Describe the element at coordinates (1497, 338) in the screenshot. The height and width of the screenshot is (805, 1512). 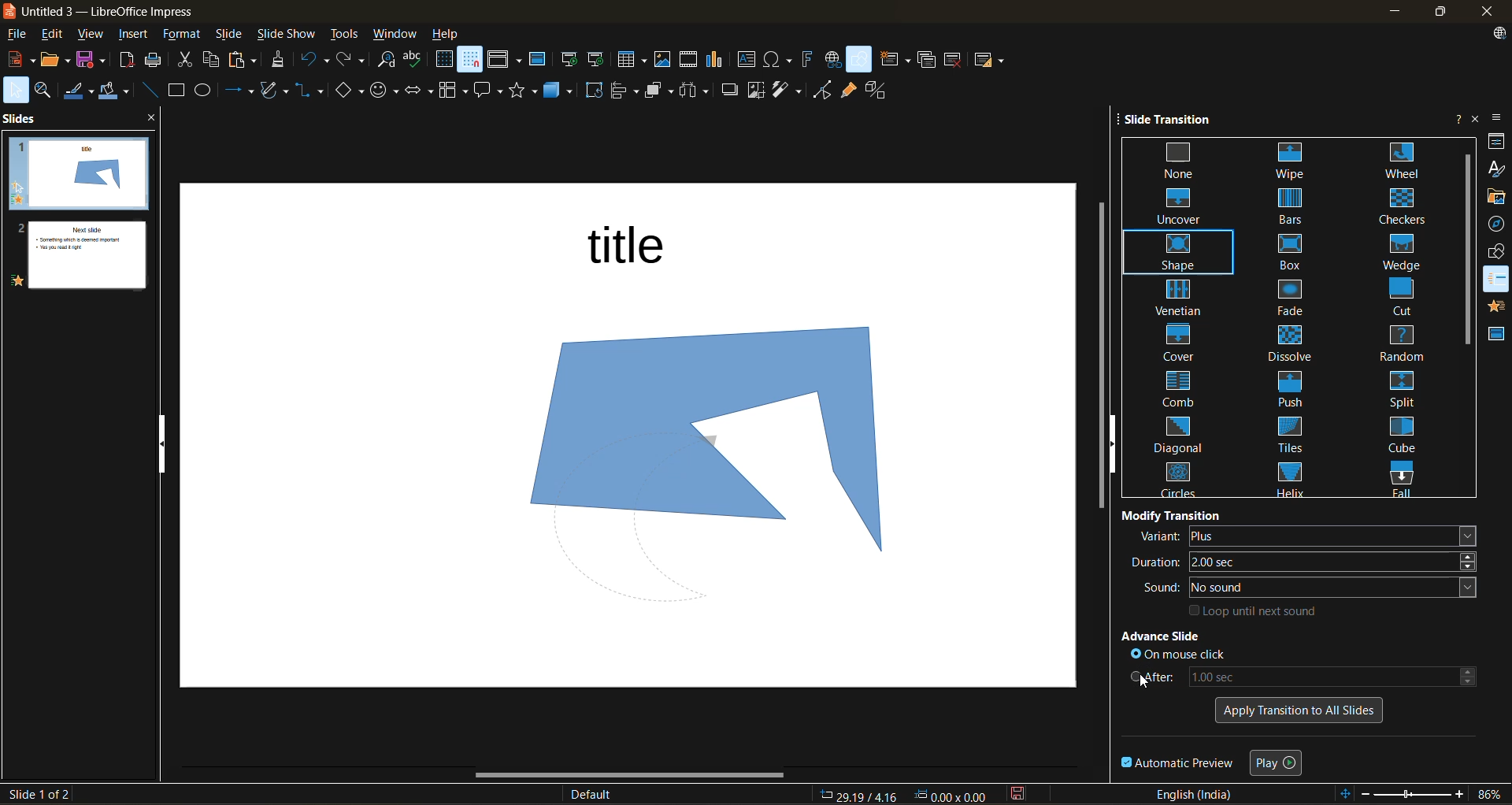
I see `master slides` at that location.